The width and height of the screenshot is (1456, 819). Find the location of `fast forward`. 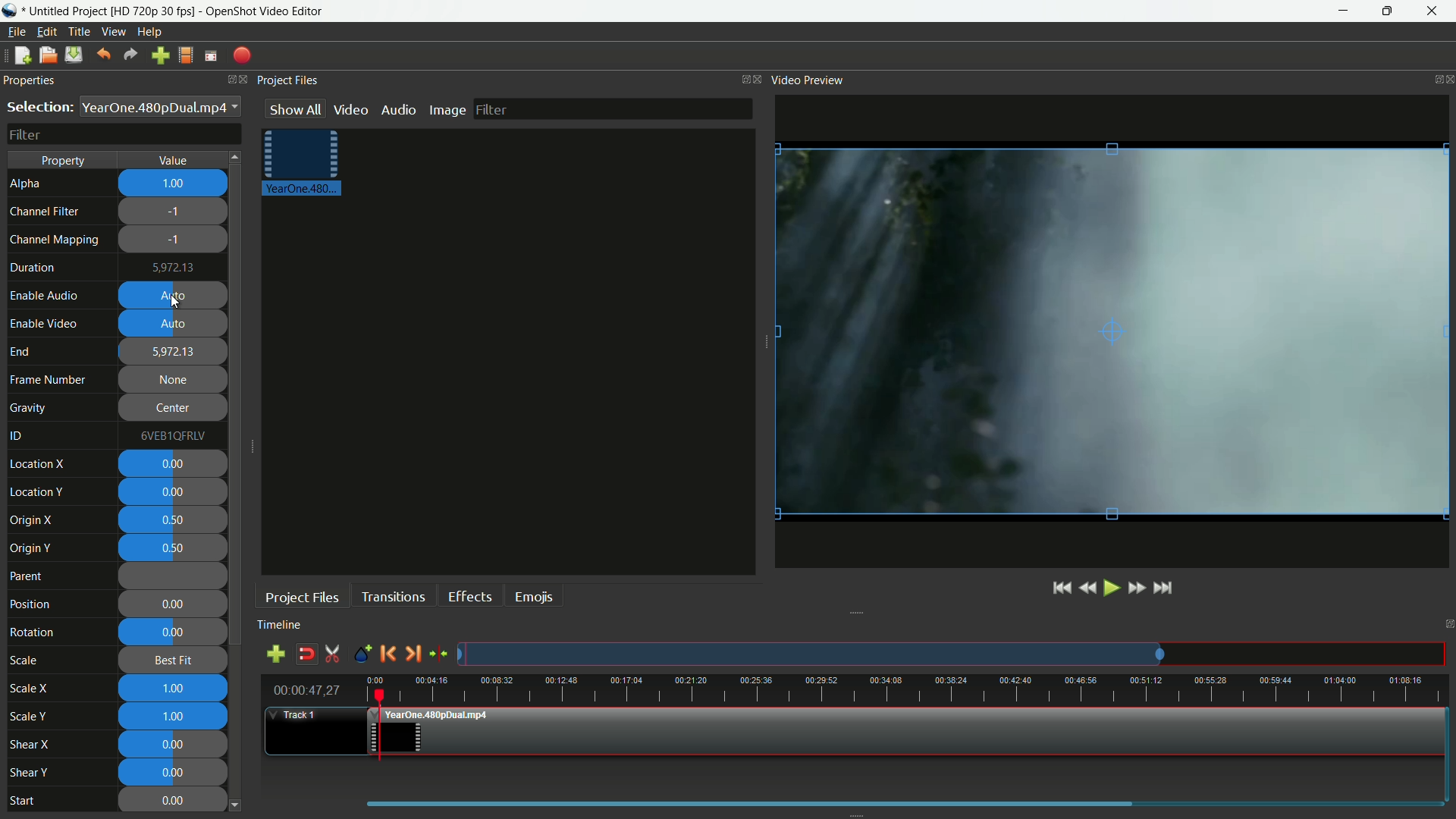

fast forward is located at coordinates (1102, 588).